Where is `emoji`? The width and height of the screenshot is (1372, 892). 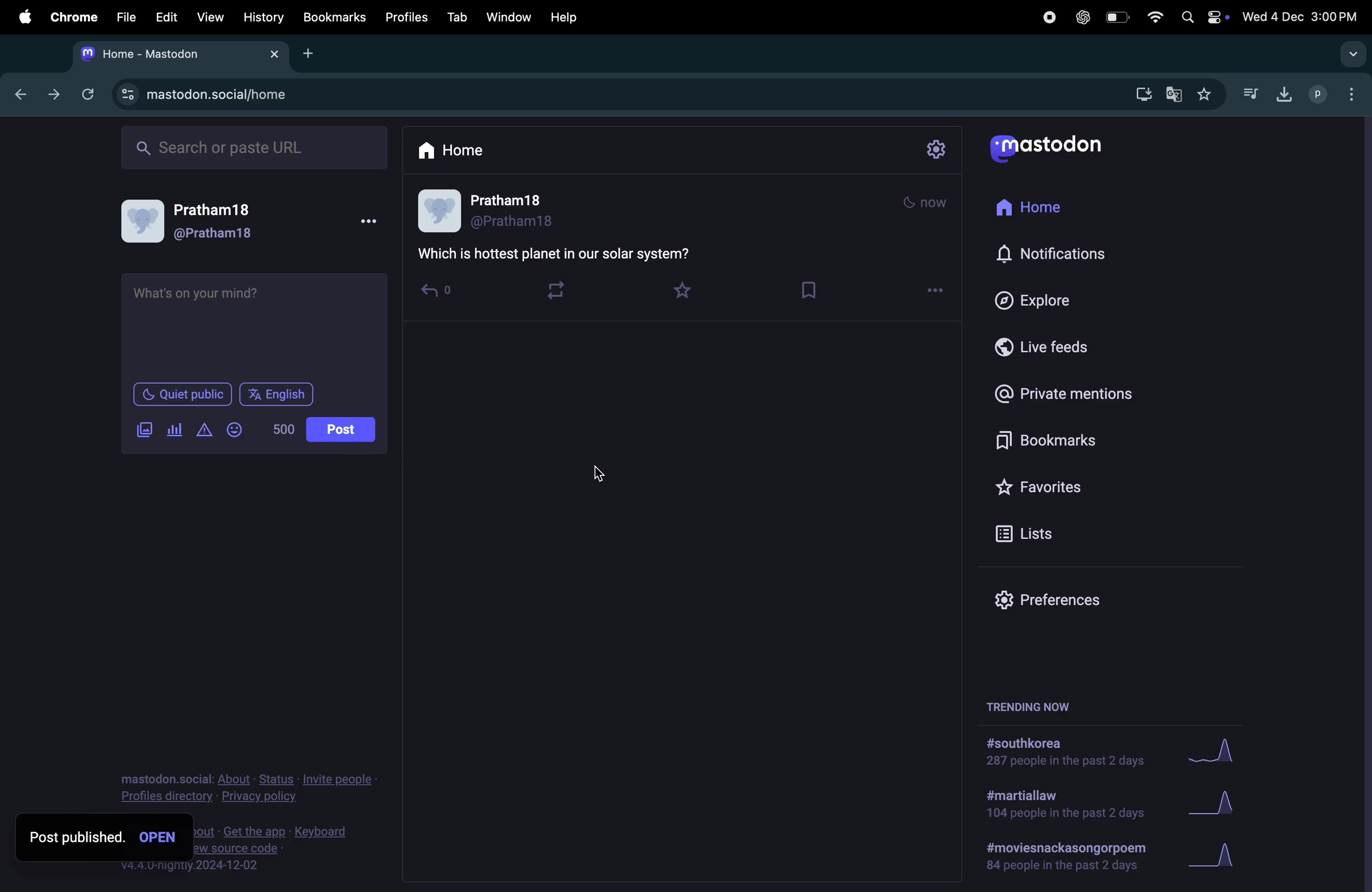 emoji is located at coordinates (239, 430).